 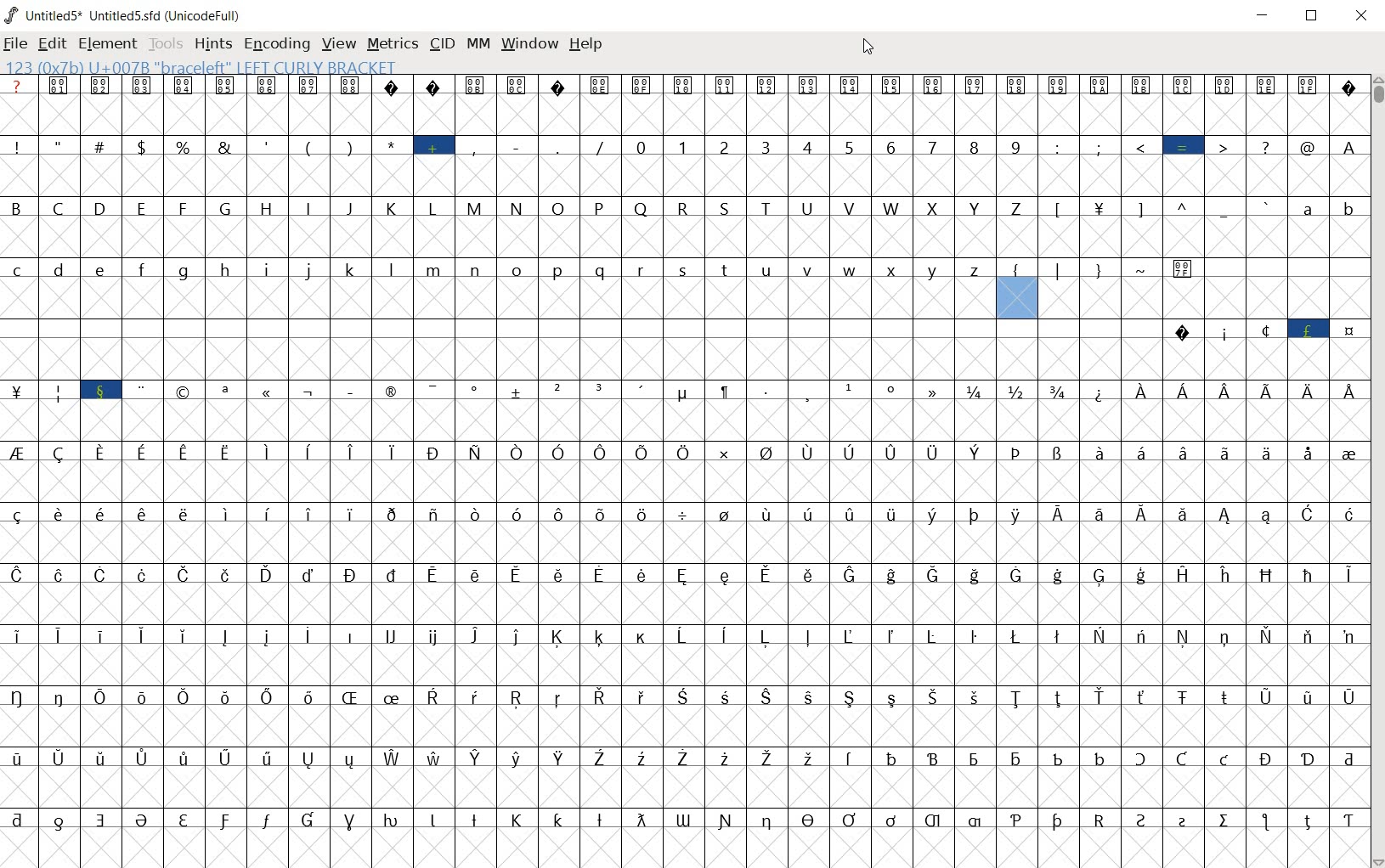 I want to click on glyphs, so click(x=478, y=459).